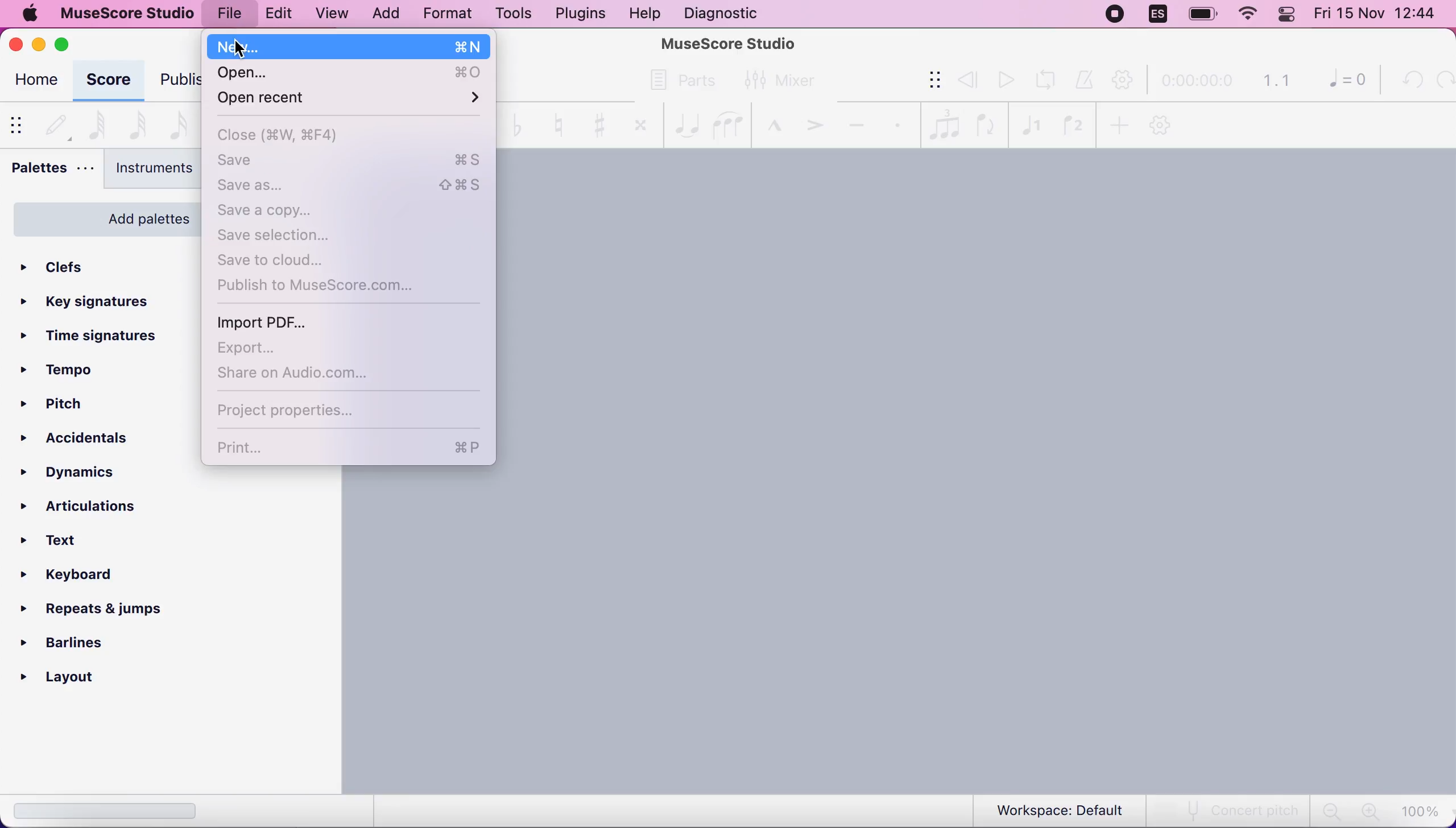  What do you see at coordinates (106, 338) in the screenshot?
I see `ime signatures` at bounding box center [106, 338].